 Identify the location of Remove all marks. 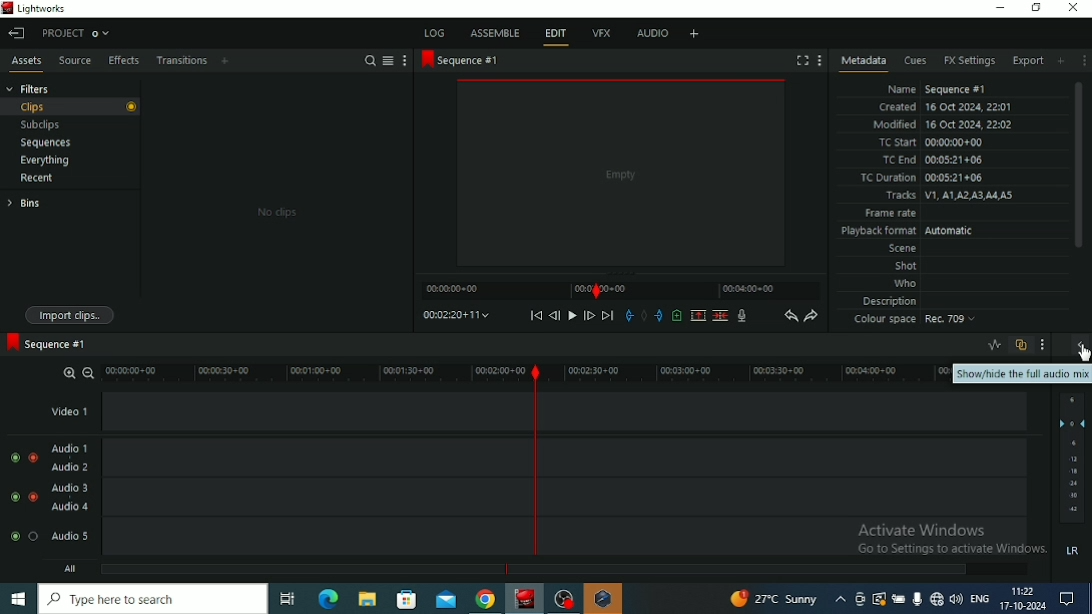
(643, 315).